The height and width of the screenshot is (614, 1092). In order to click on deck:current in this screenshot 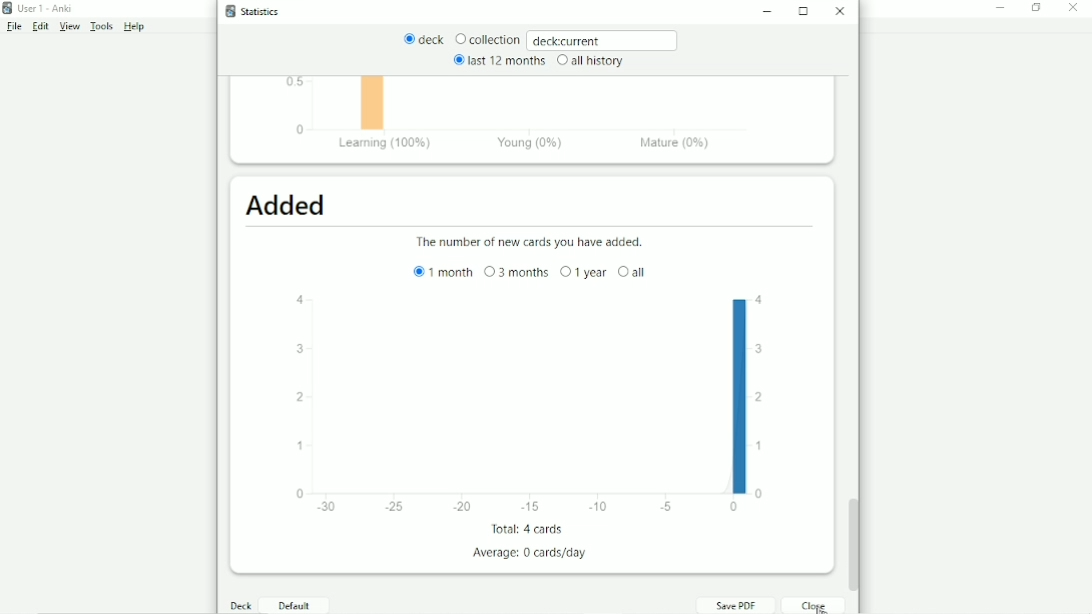, I will do `click(604, 39)`.